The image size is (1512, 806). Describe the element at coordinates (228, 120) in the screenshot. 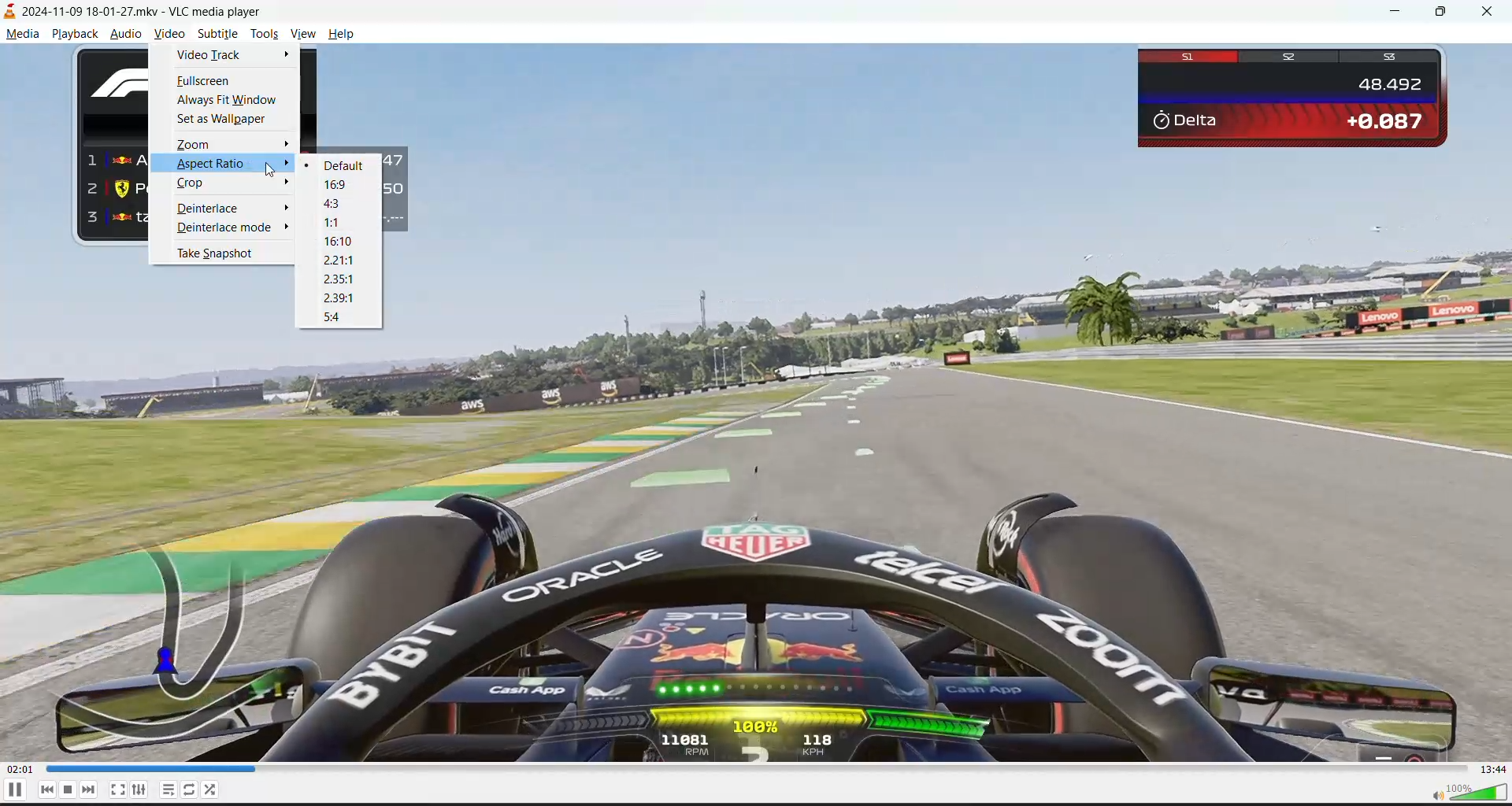

I see `set as wallpaper` at that location.